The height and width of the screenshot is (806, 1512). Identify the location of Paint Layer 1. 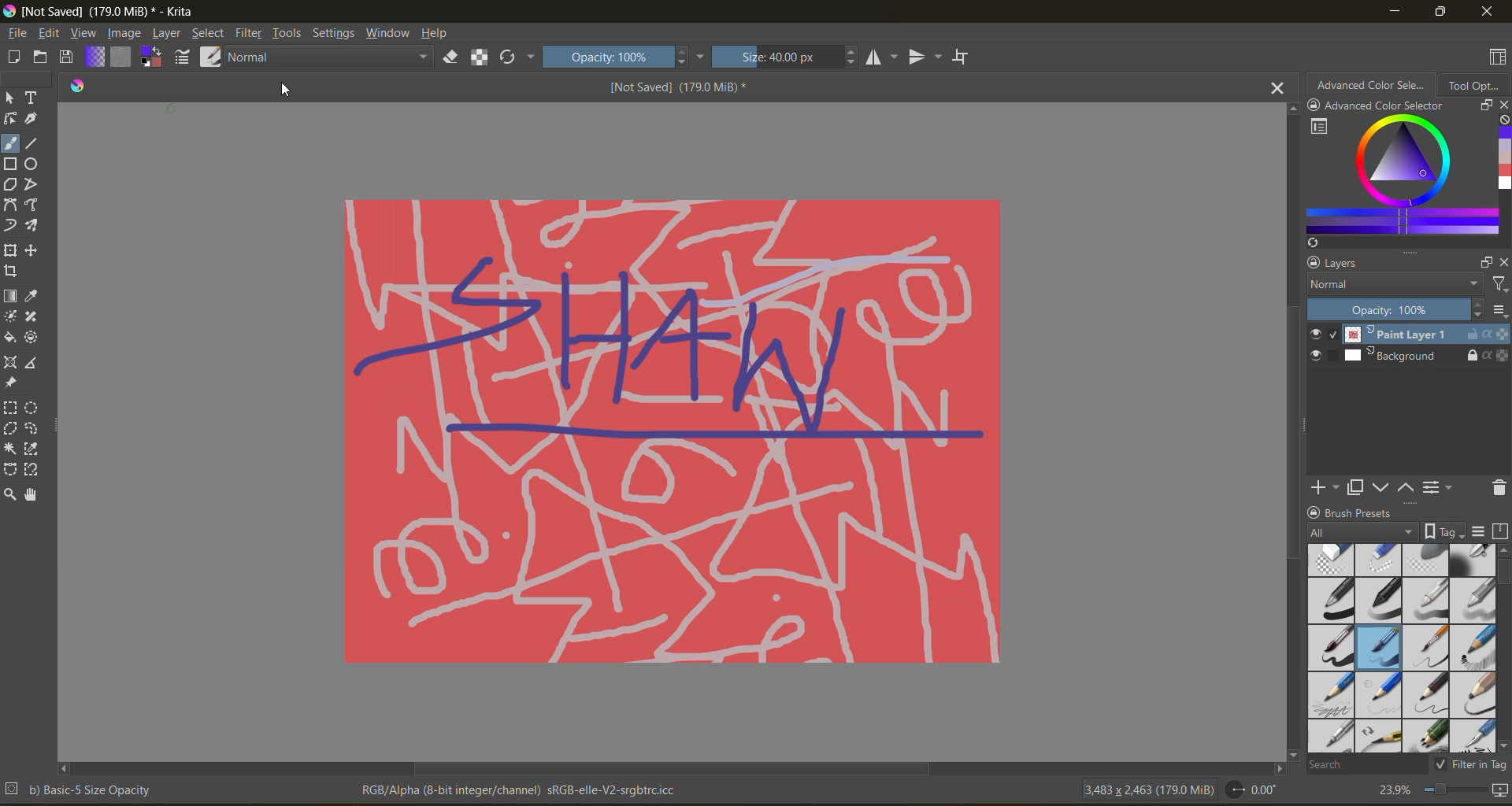
(1424, 336).